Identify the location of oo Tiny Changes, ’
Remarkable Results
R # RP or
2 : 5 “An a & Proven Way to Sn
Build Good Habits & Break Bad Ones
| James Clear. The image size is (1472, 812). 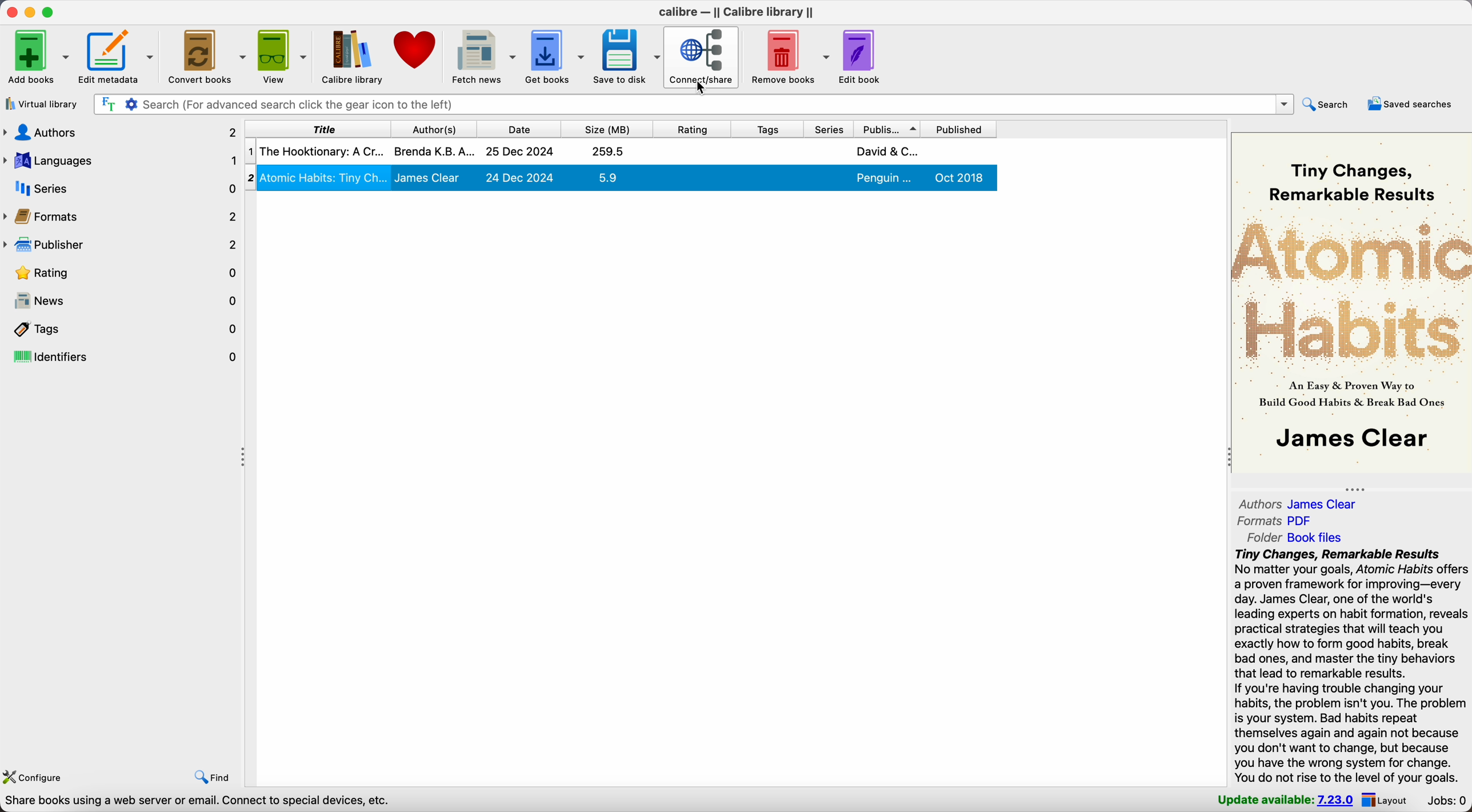
(1348, 304).